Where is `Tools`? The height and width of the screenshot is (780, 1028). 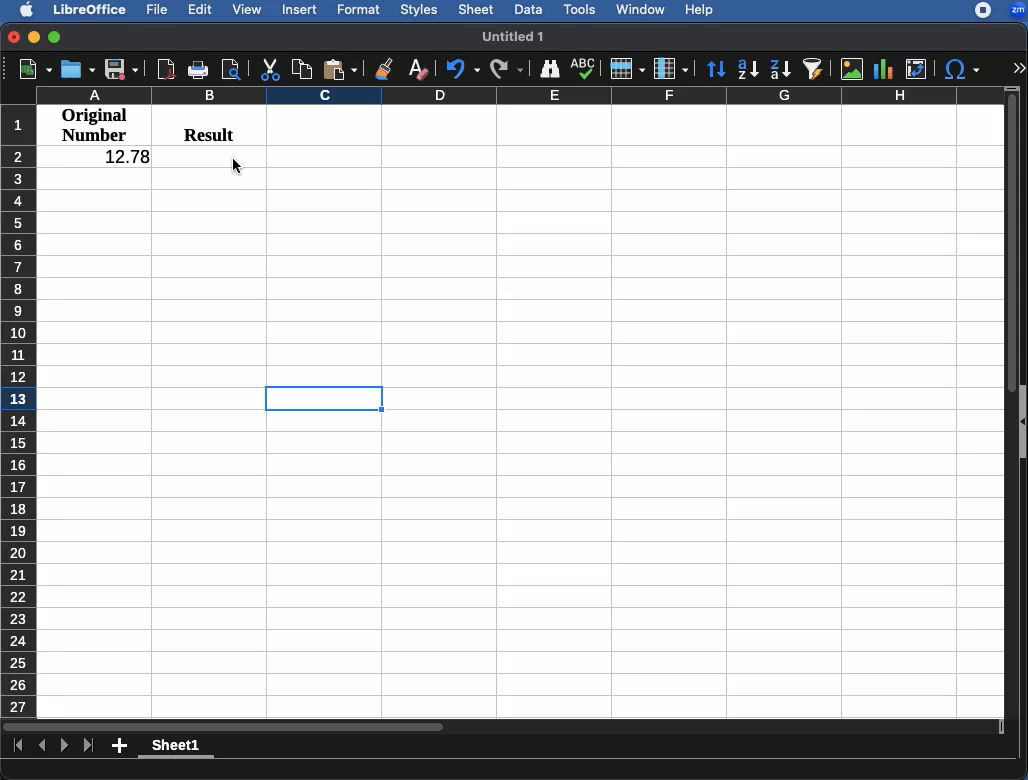
Tools is located at coordinates (580, 8).